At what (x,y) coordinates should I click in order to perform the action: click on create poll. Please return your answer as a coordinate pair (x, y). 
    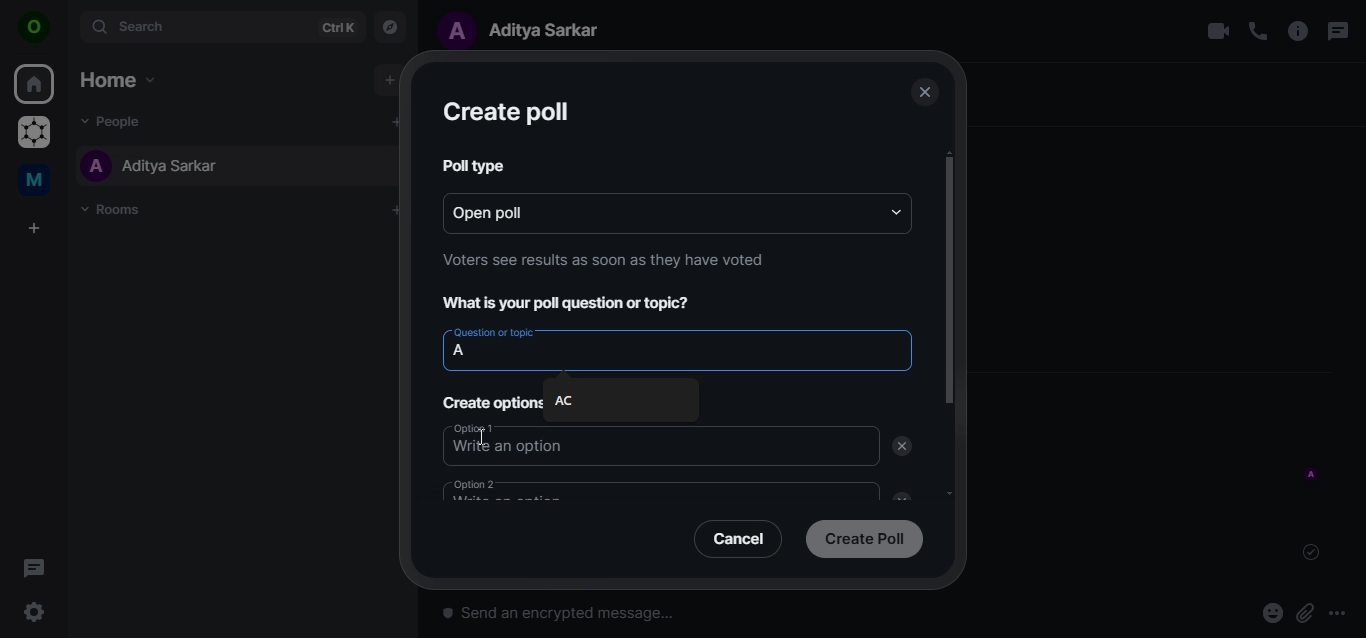
    Looking at the image, I should click on (505, 113).